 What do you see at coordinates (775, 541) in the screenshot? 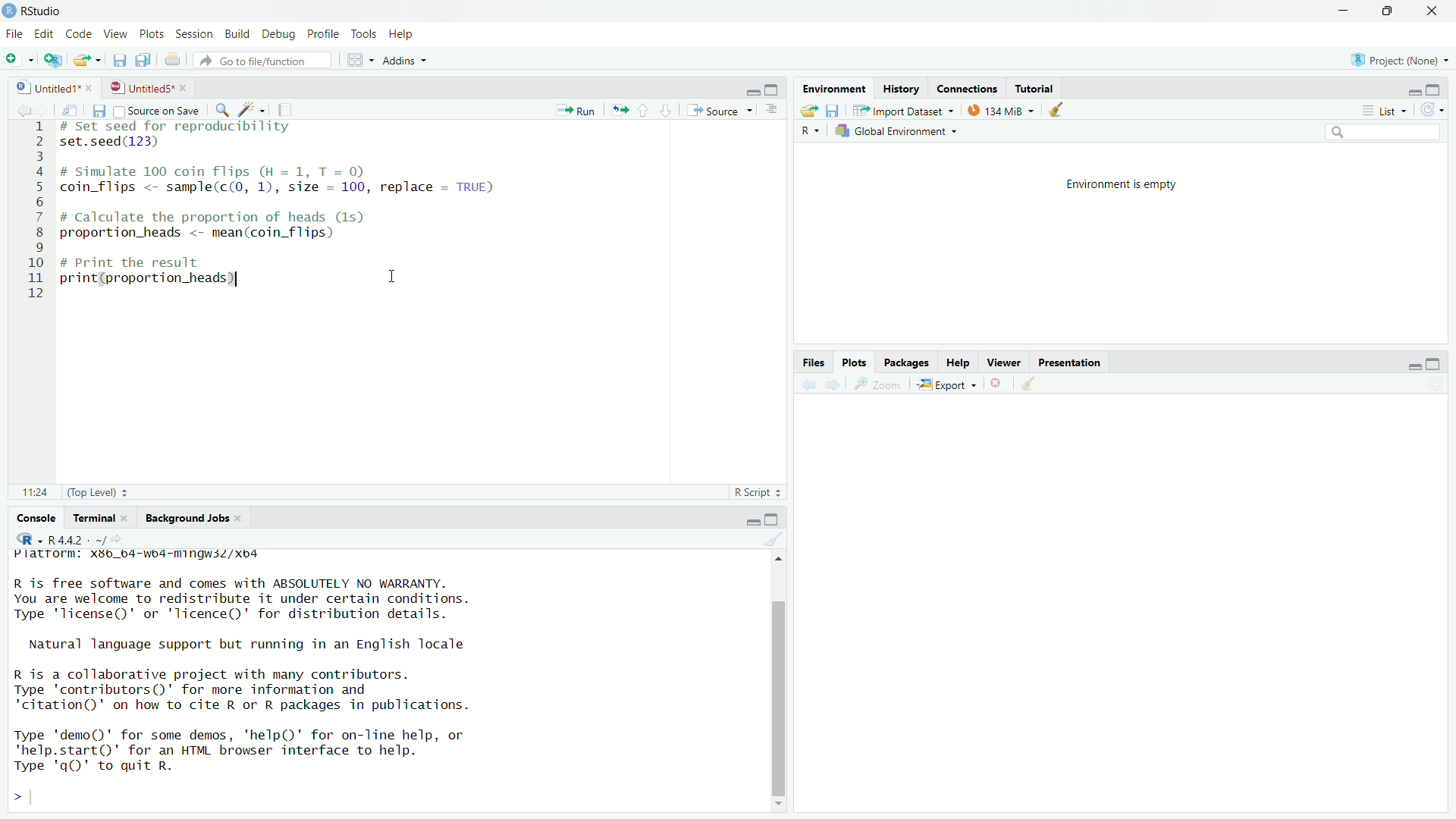
I see `clear console` at bounding box center [775, 541].